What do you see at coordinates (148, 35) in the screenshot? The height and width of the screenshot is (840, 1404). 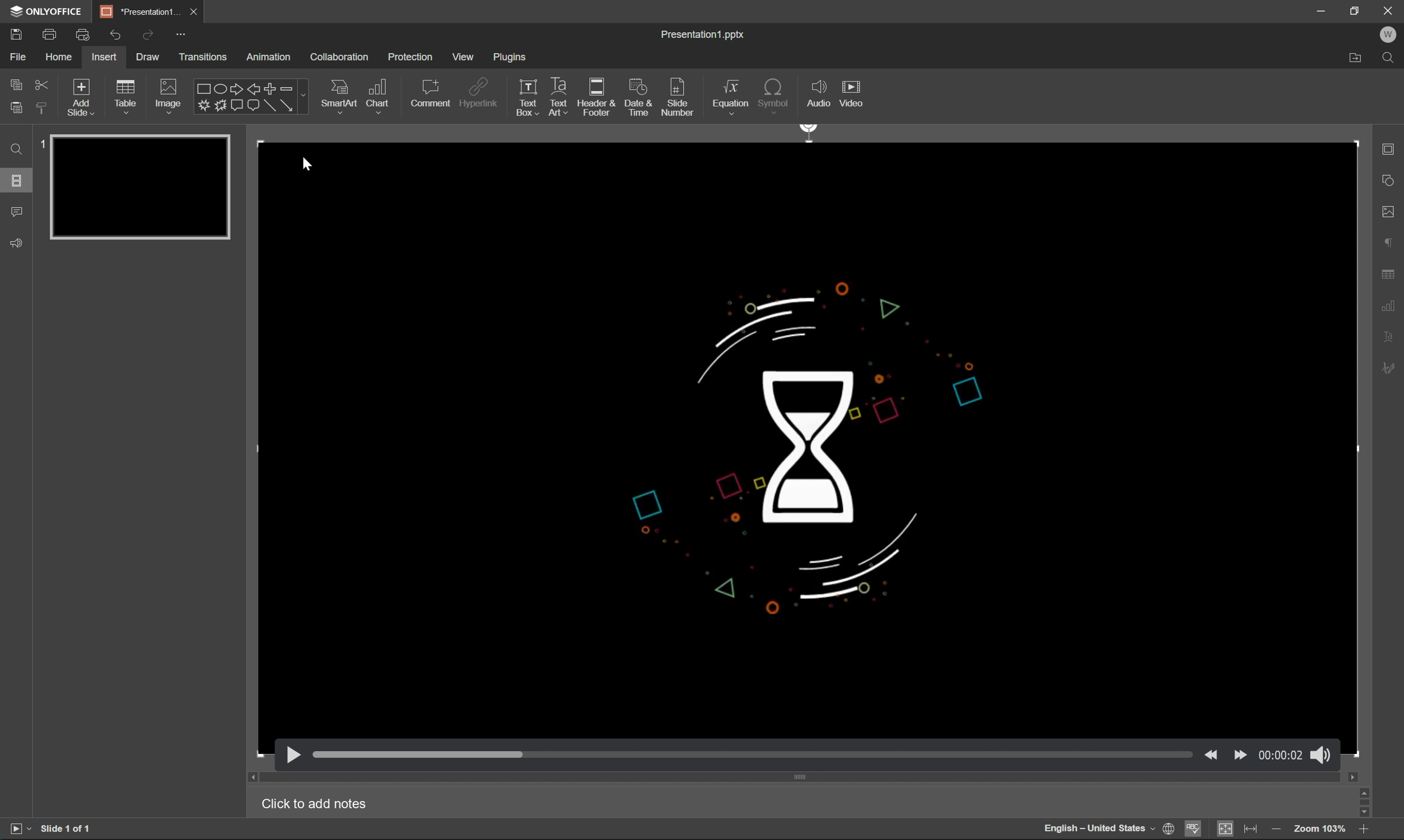 I see `redo` at bounding box center [148, 35].